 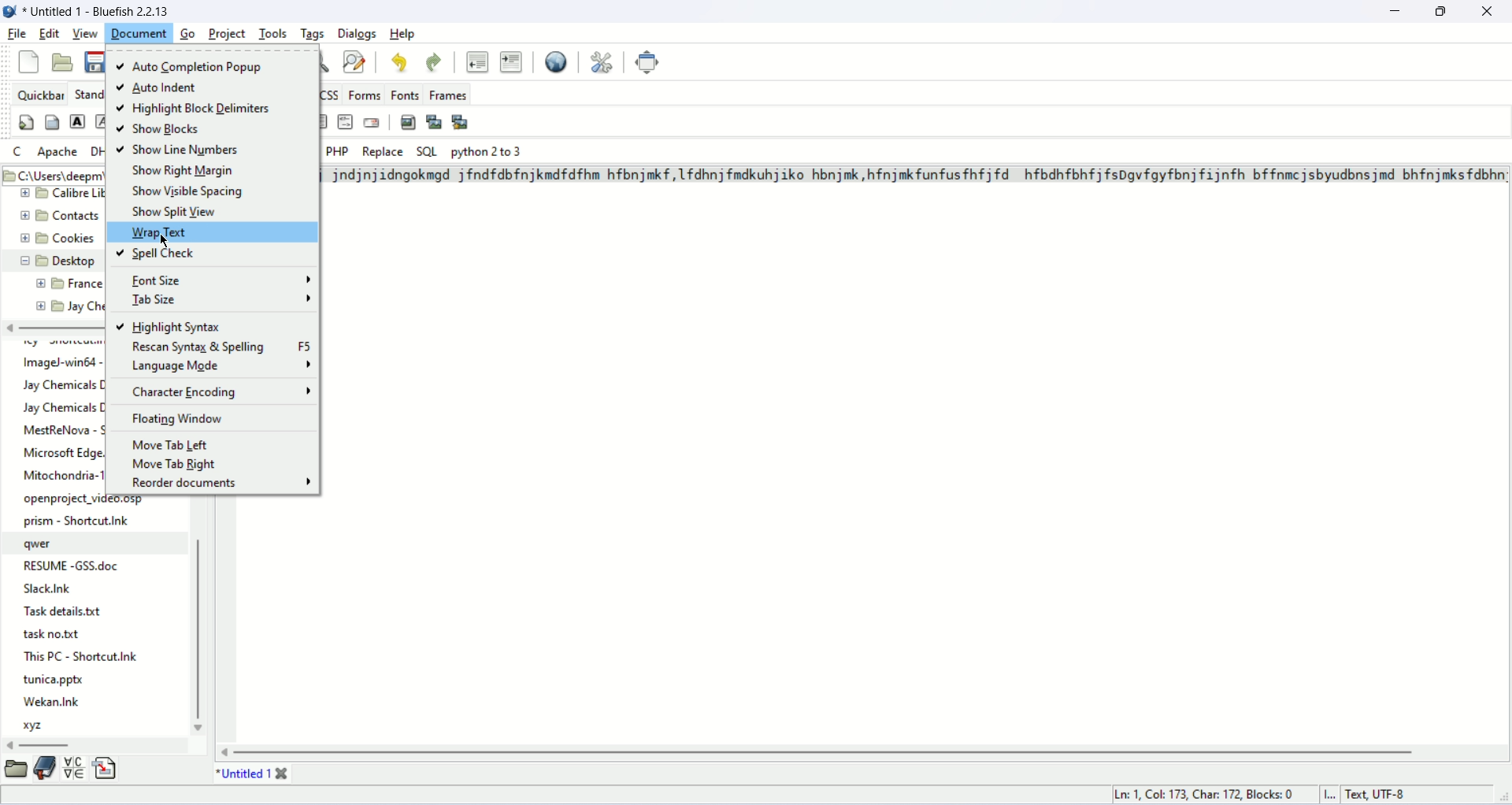 What do you see at coordinates (222, 367) in the screenshot?
I see `language mode` at bounding box center [222, 367].